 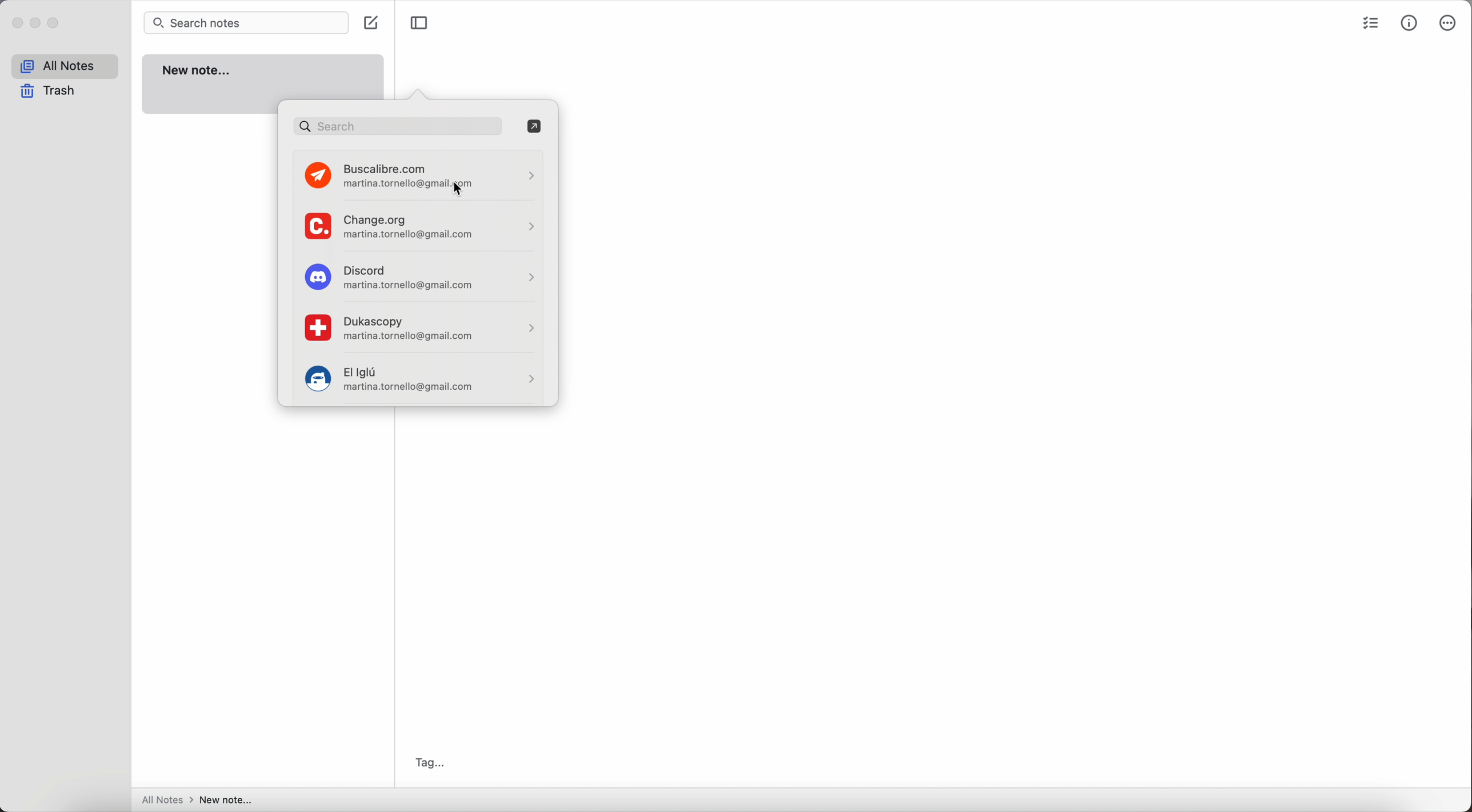 What do you see at coordinates (417, 330) in the screenshot?
I see `Dukascopy` at bounding box center [417, 330].